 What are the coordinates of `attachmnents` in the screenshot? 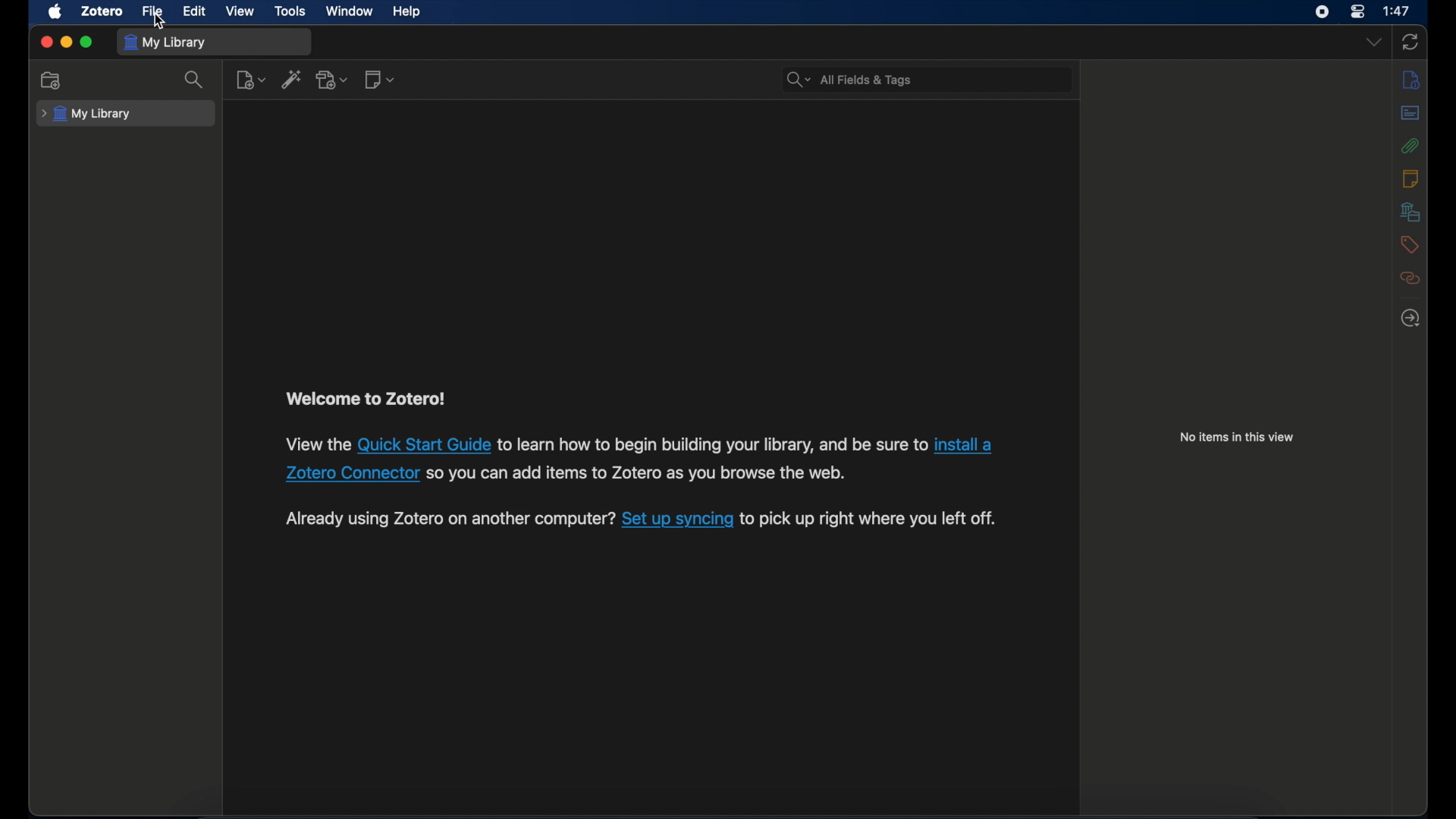 It's located at (1410, 146).